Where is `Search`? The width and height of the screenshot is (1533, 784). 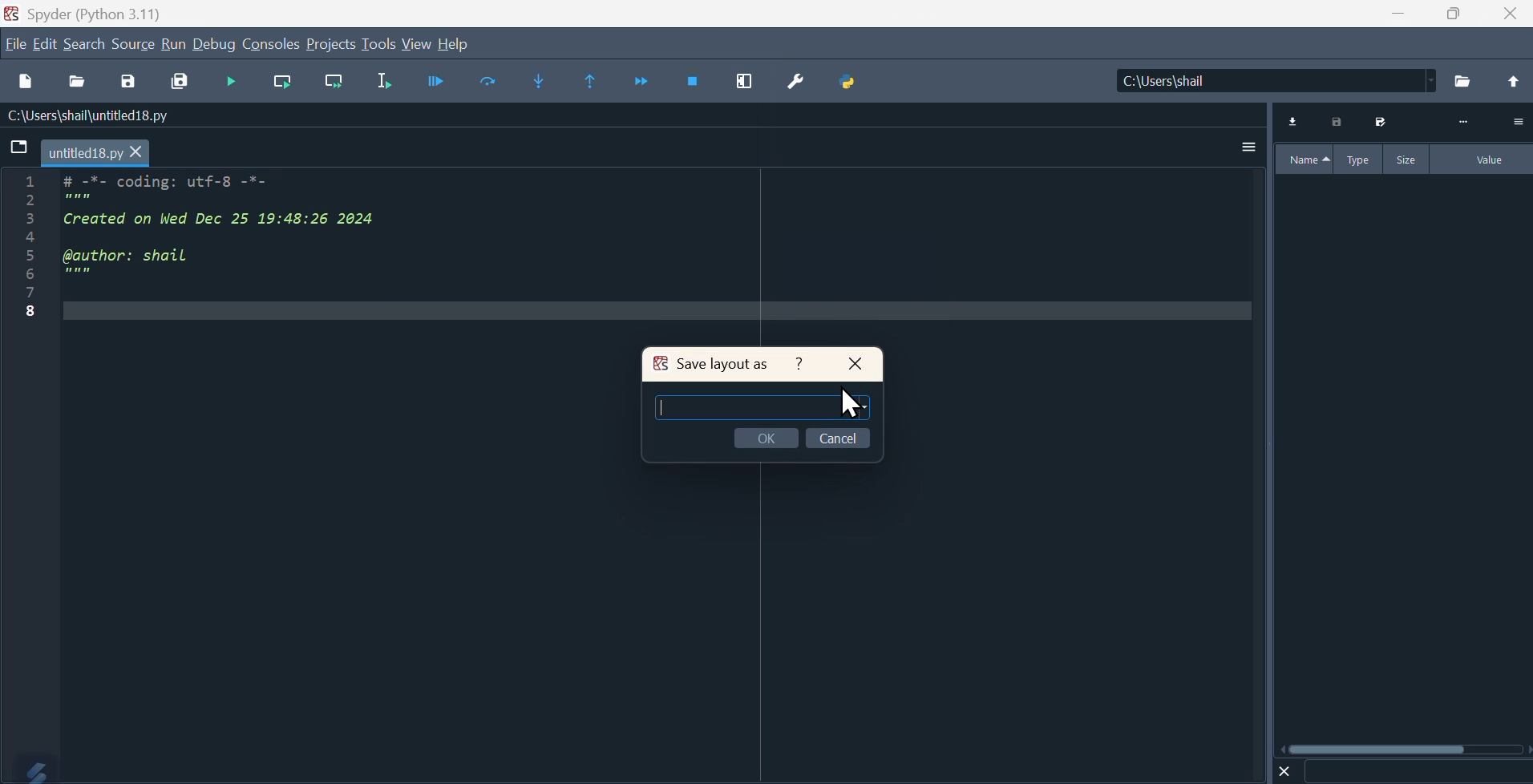
Search is located at coordinates (85, 44).